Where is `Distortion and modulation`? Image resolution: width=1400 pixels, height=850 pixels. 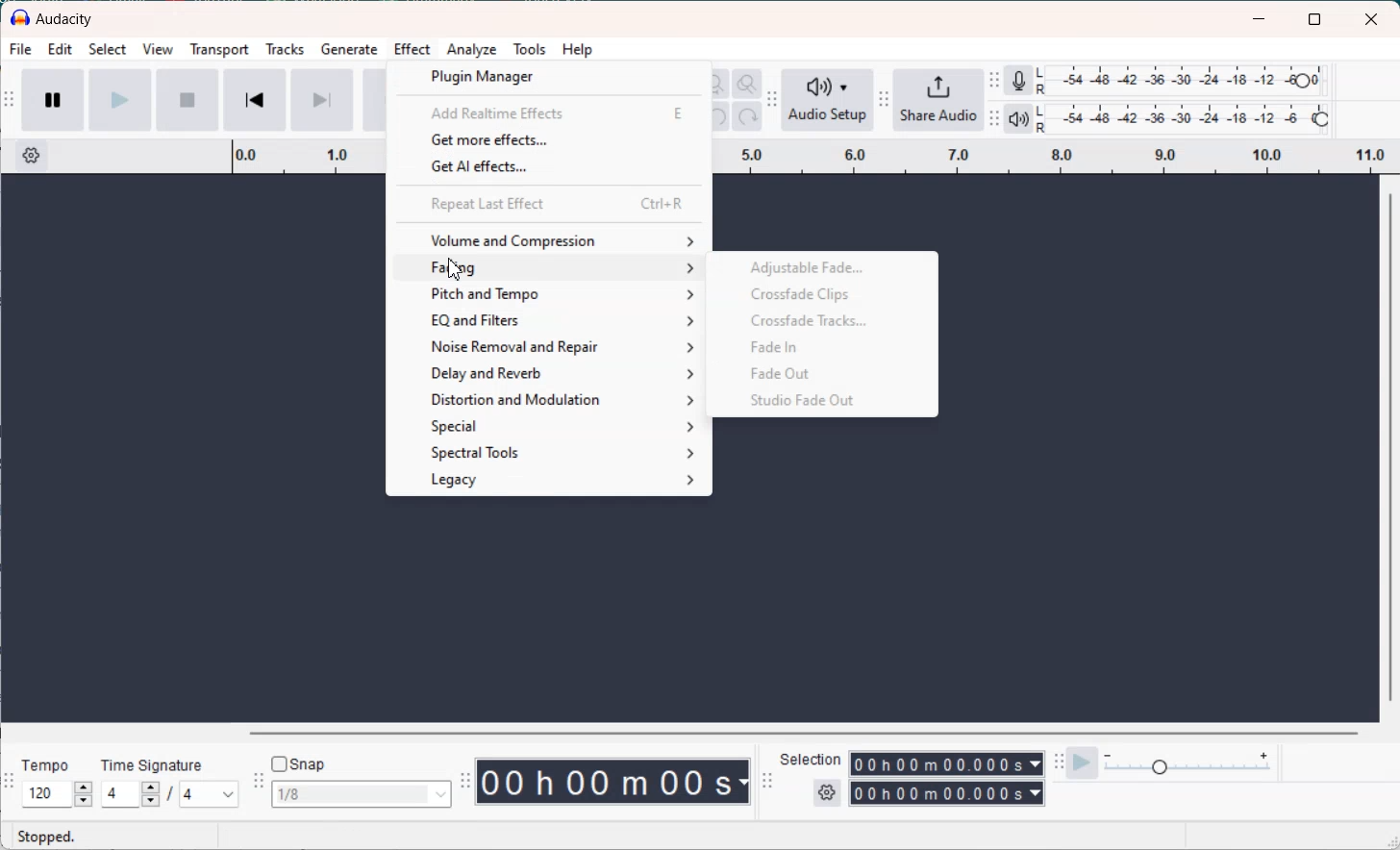 Distortion and modulation is located at coordinates (551, 399).